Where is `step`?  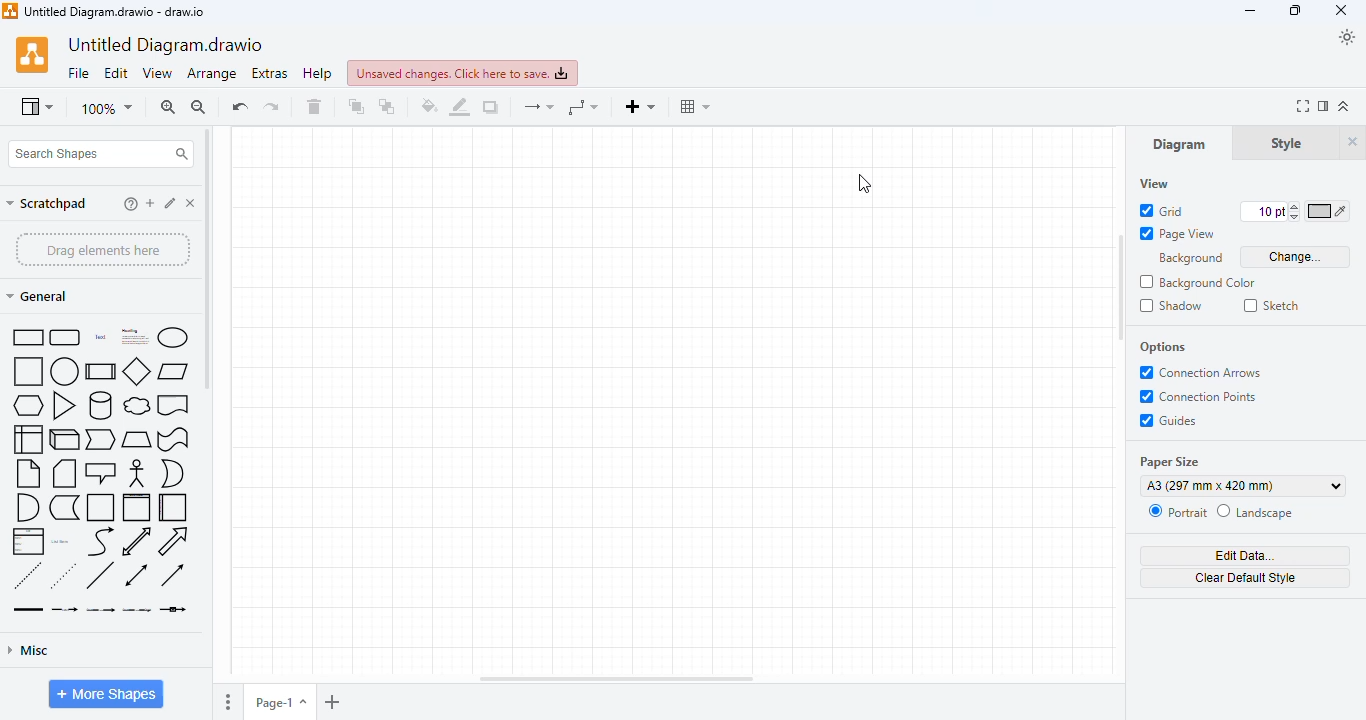
step is located at coordinates (101, 440).